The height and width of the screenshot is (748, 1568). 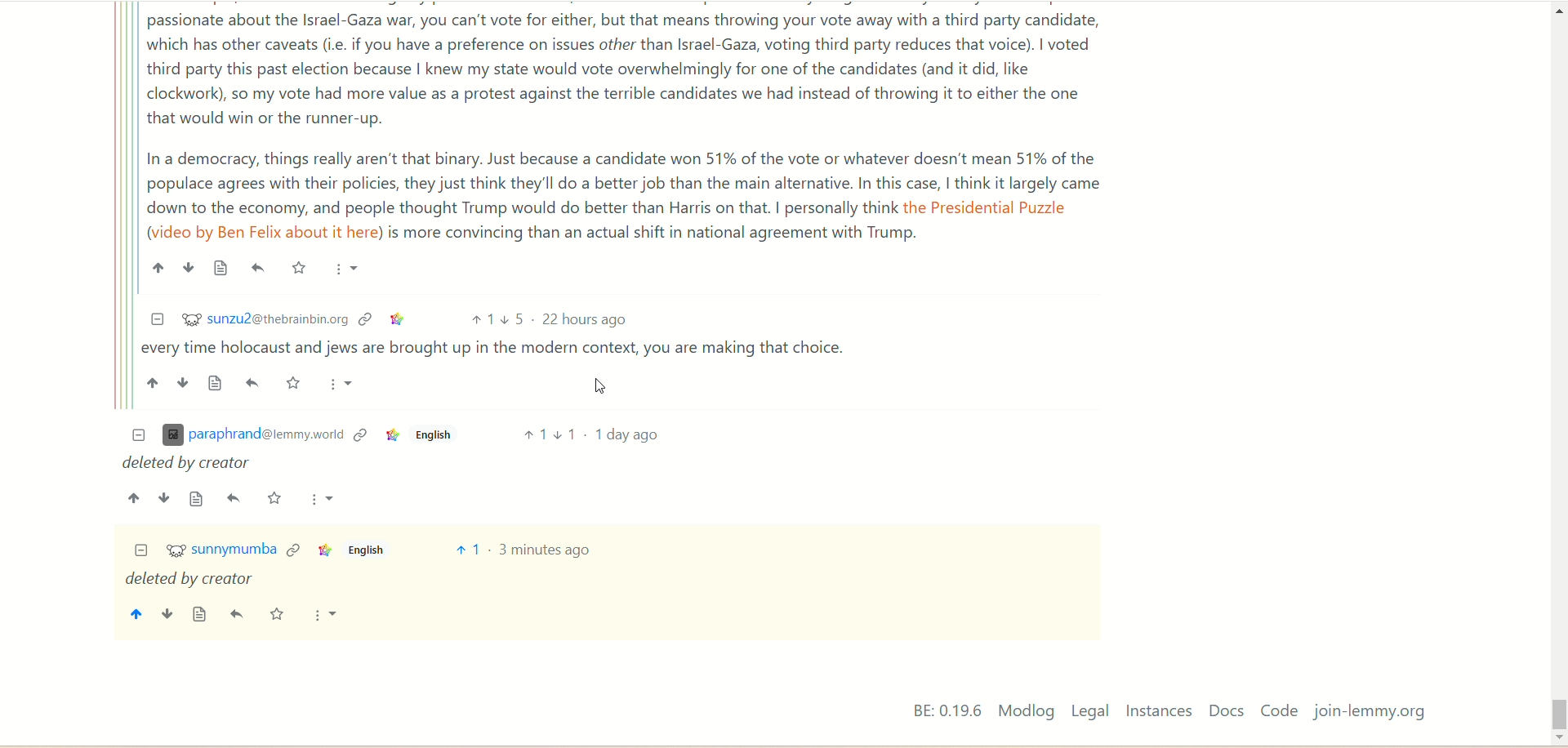 What do you see at coordinates (546, 550) in the screenshot?
I see `3 minutes ago` at bounding box center [546, 550].